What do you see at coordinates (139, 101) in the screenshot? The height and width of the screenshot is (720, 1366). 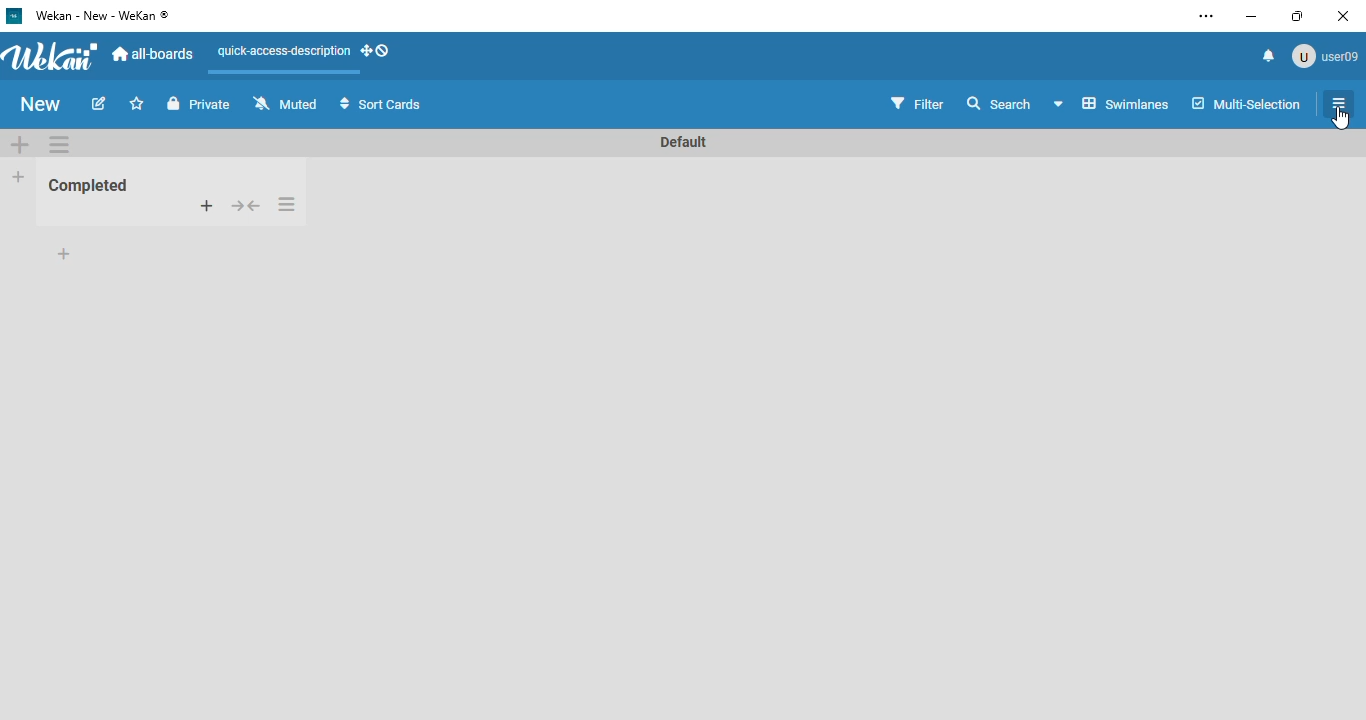 I see `Add to favorite` at bounding box center [139, 101].